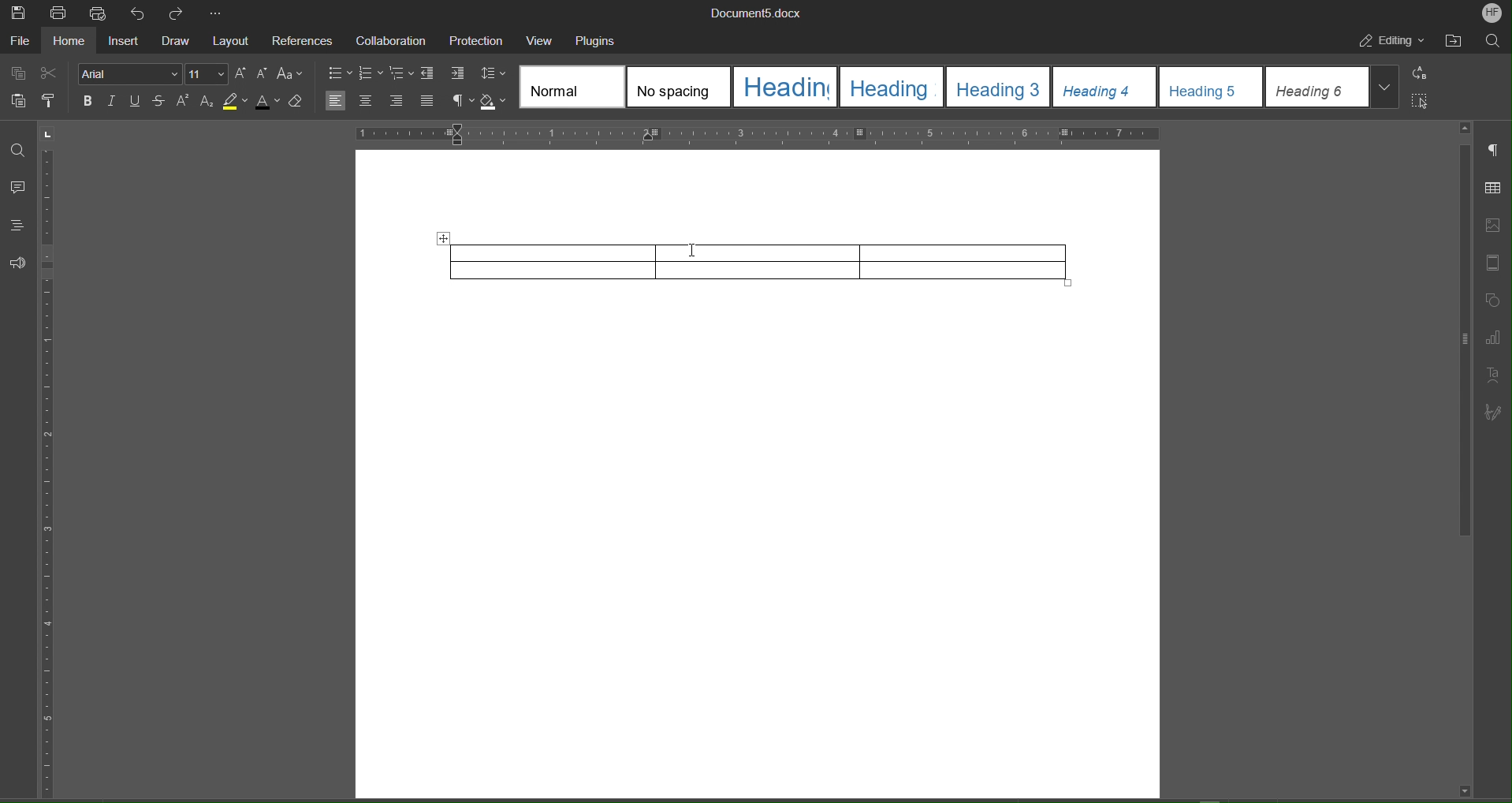 This screenshot has height=803, width=1512. I want to click on Image Settings, so click(1495, 221).